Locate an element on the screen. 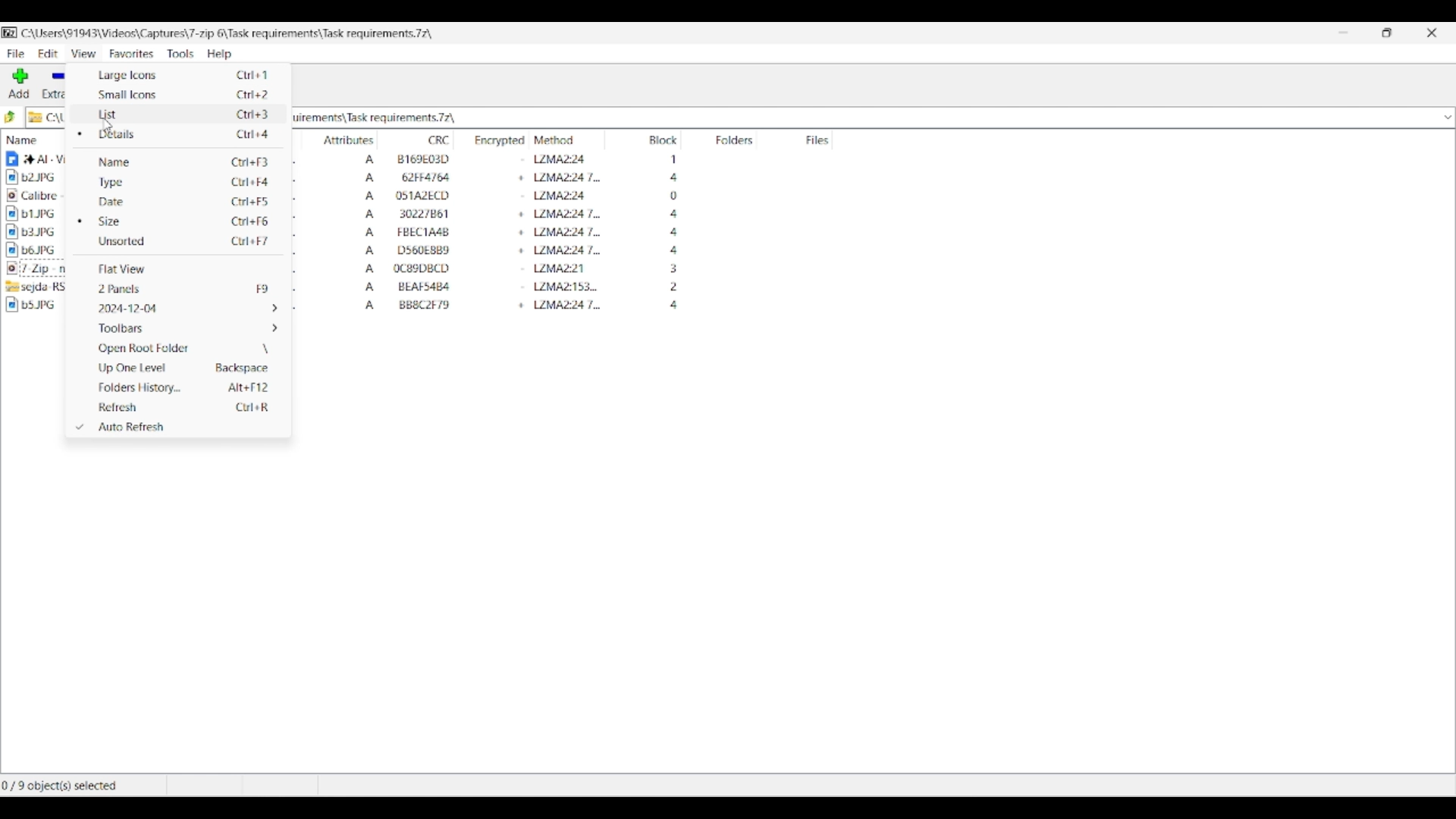 This screenshot has width=1456, height=819. Minimize is located at coordinates (1343, 33).